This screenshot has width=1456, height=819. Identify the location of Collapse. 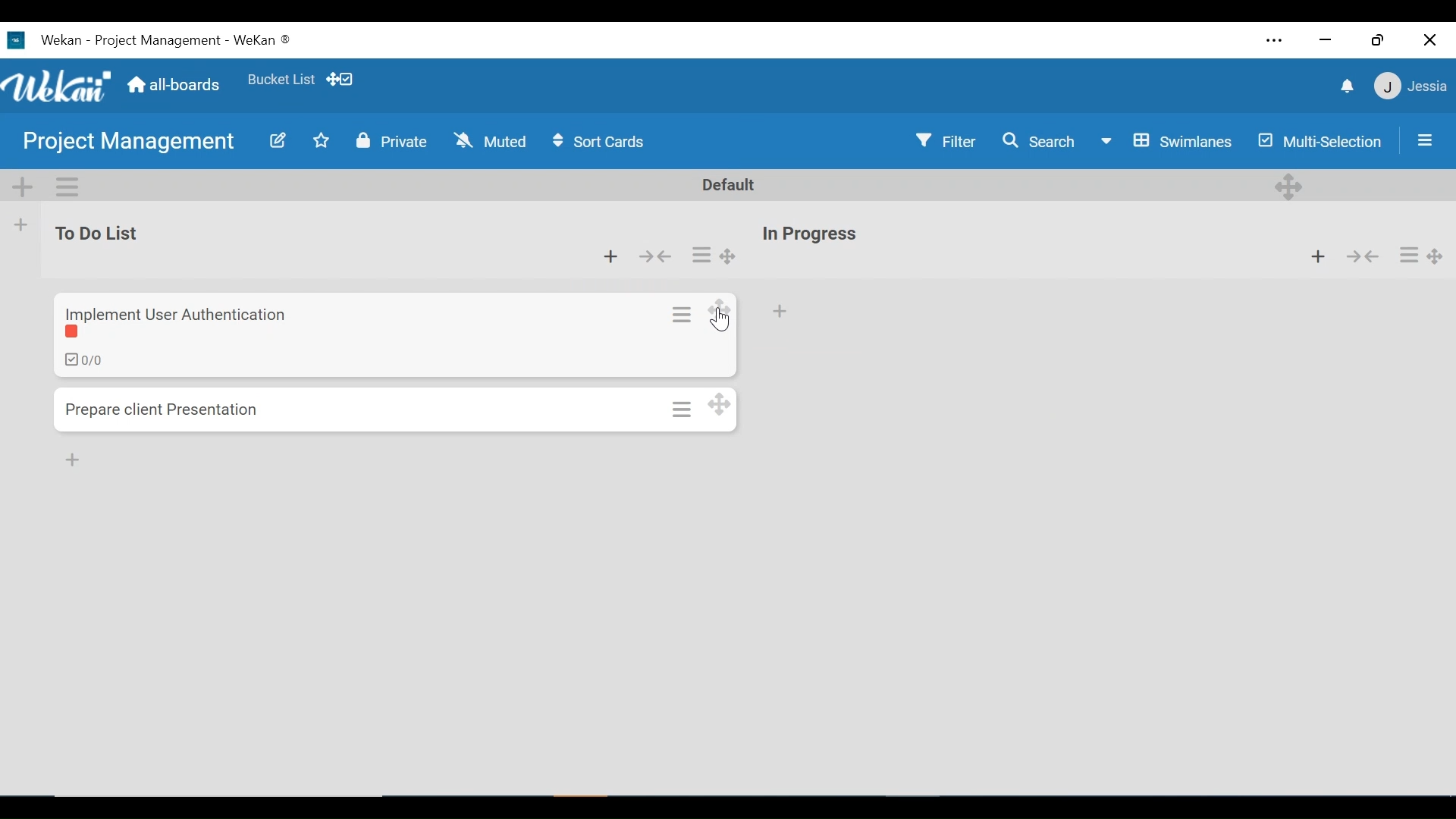
(1363, 258).